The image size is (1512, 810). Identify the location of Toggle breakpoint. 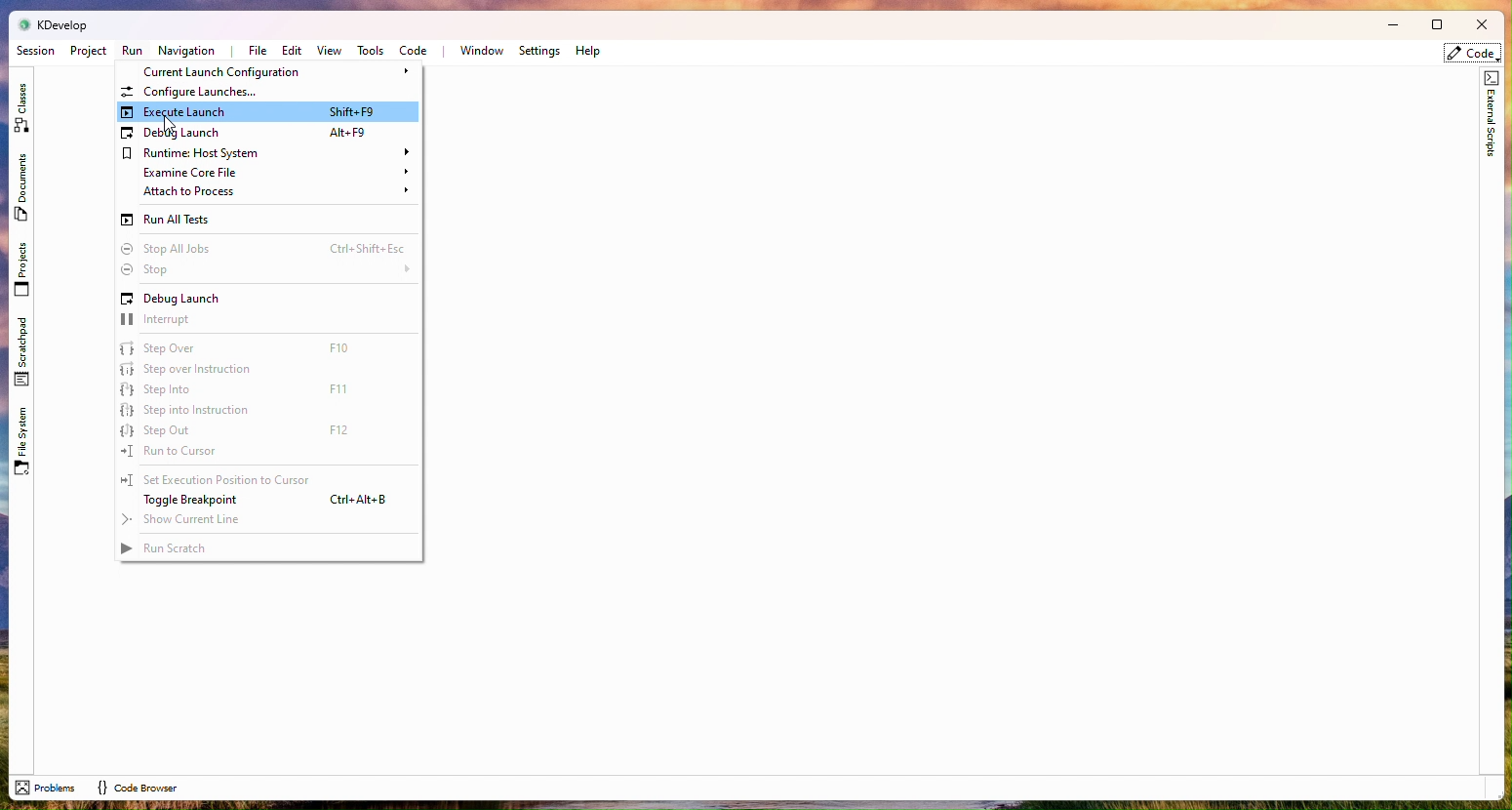
(268, 500).